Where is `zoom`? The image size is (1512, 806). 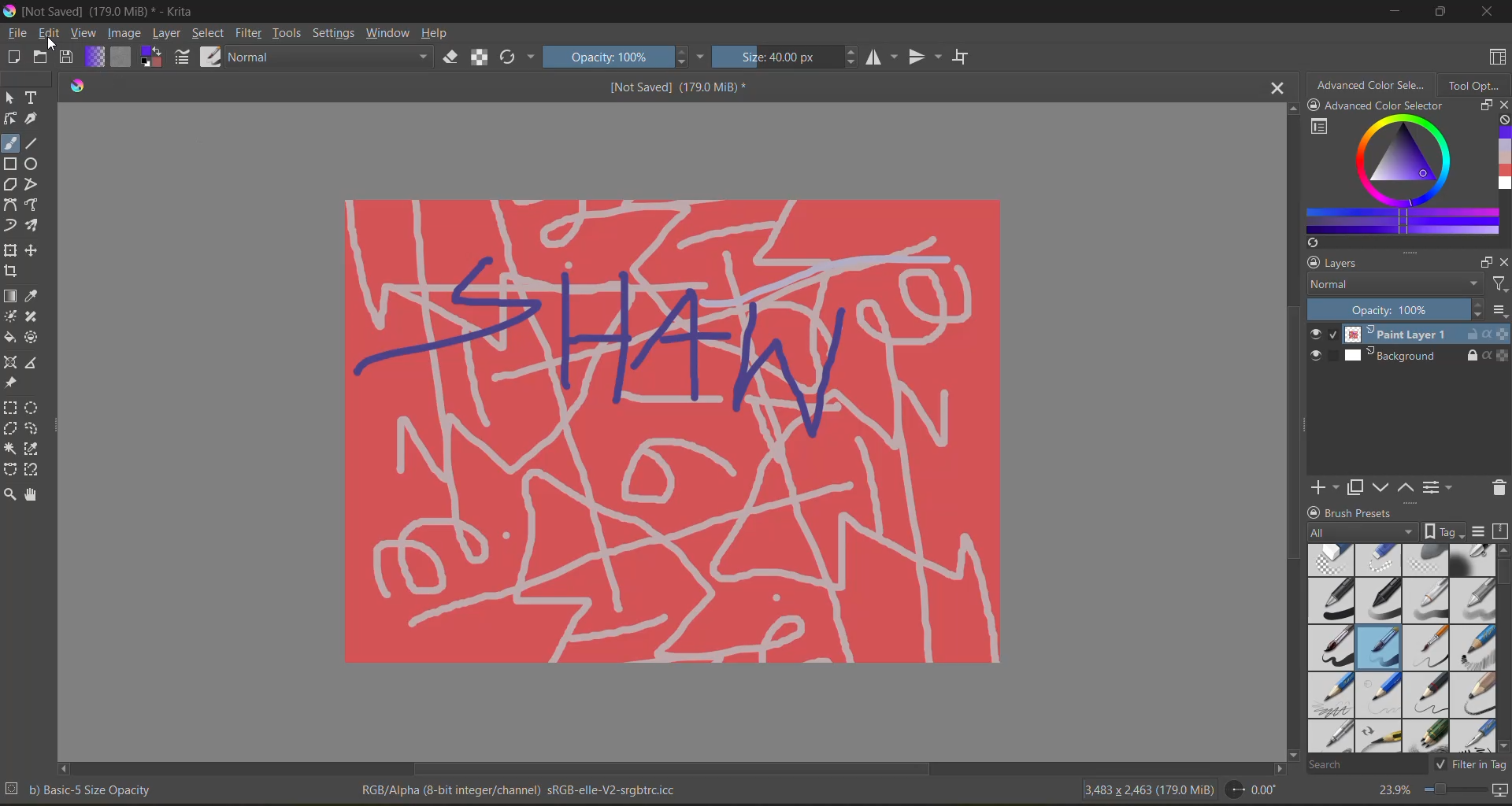
zoom is located at coordinates (1454, 792).